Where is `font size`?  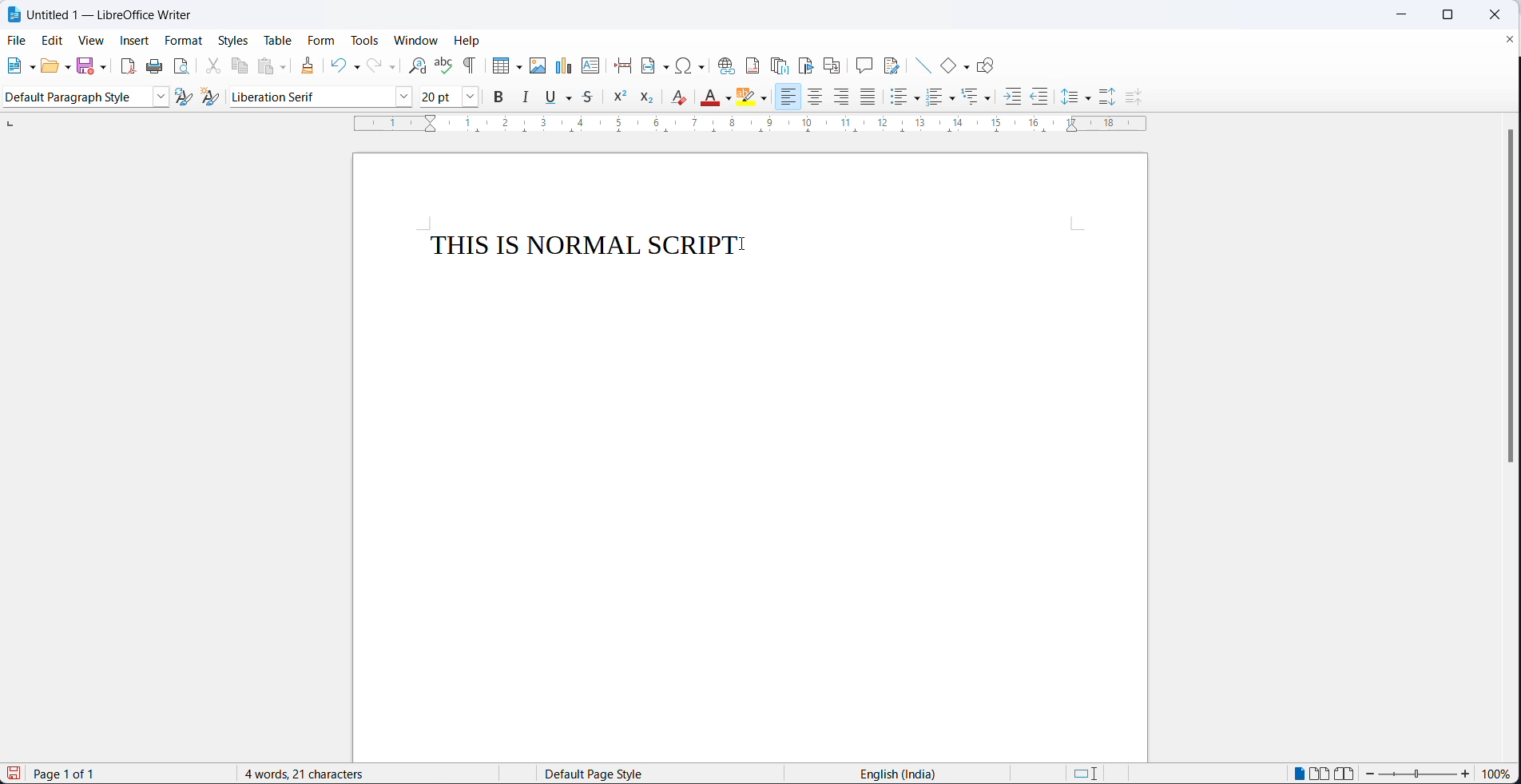
font size is located at coordinates (441, 96).